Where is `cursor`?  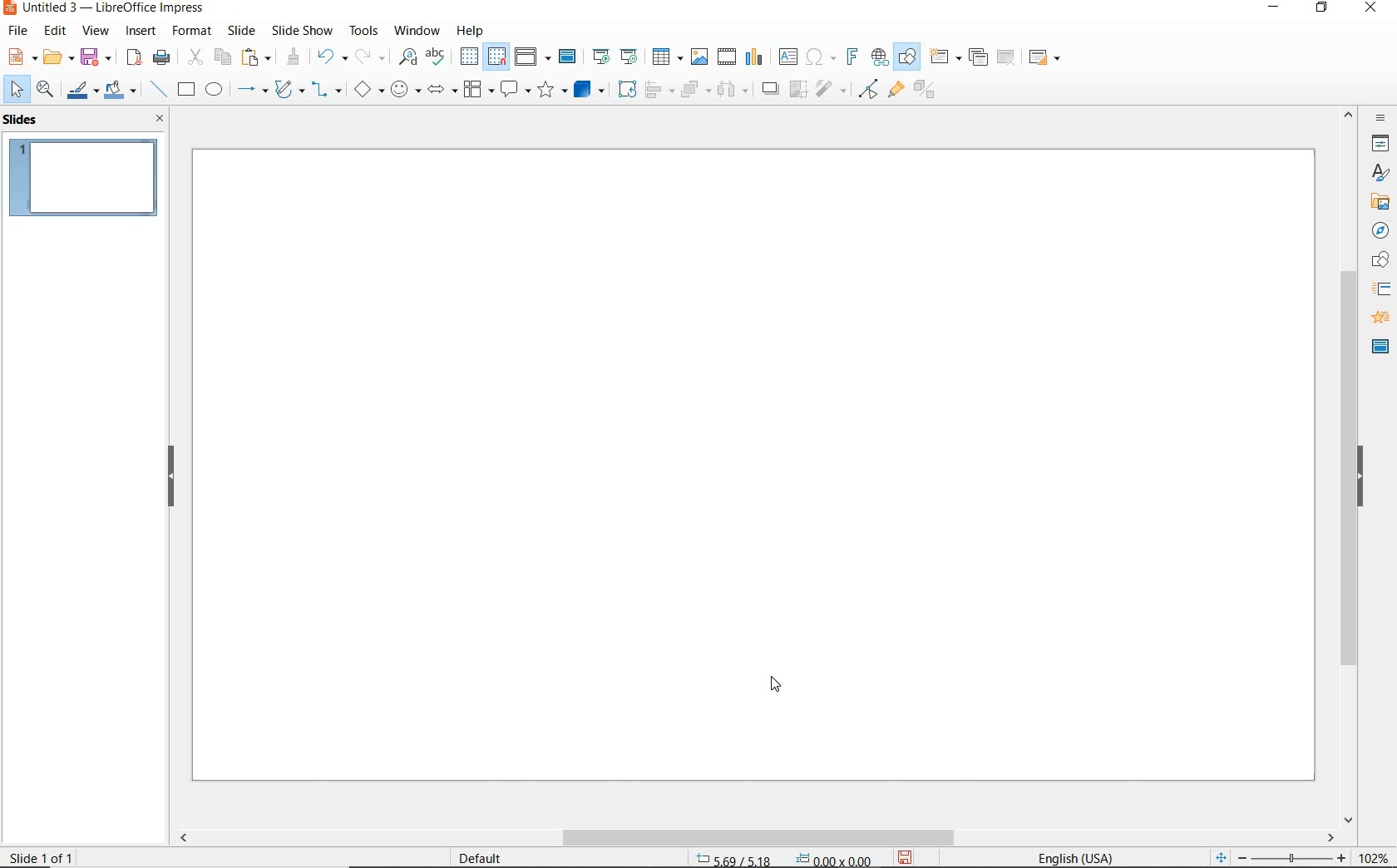
cursor is located at coordinates (773, 682).